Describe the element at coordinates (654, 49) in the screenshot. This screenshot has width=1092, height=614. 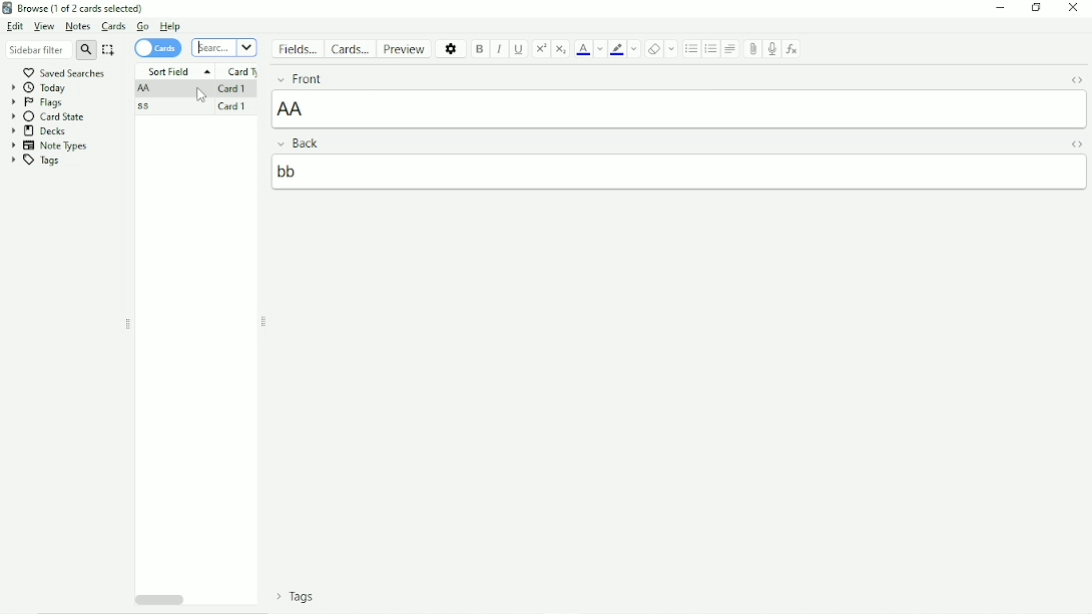
I see `Remove formatting` at that location.